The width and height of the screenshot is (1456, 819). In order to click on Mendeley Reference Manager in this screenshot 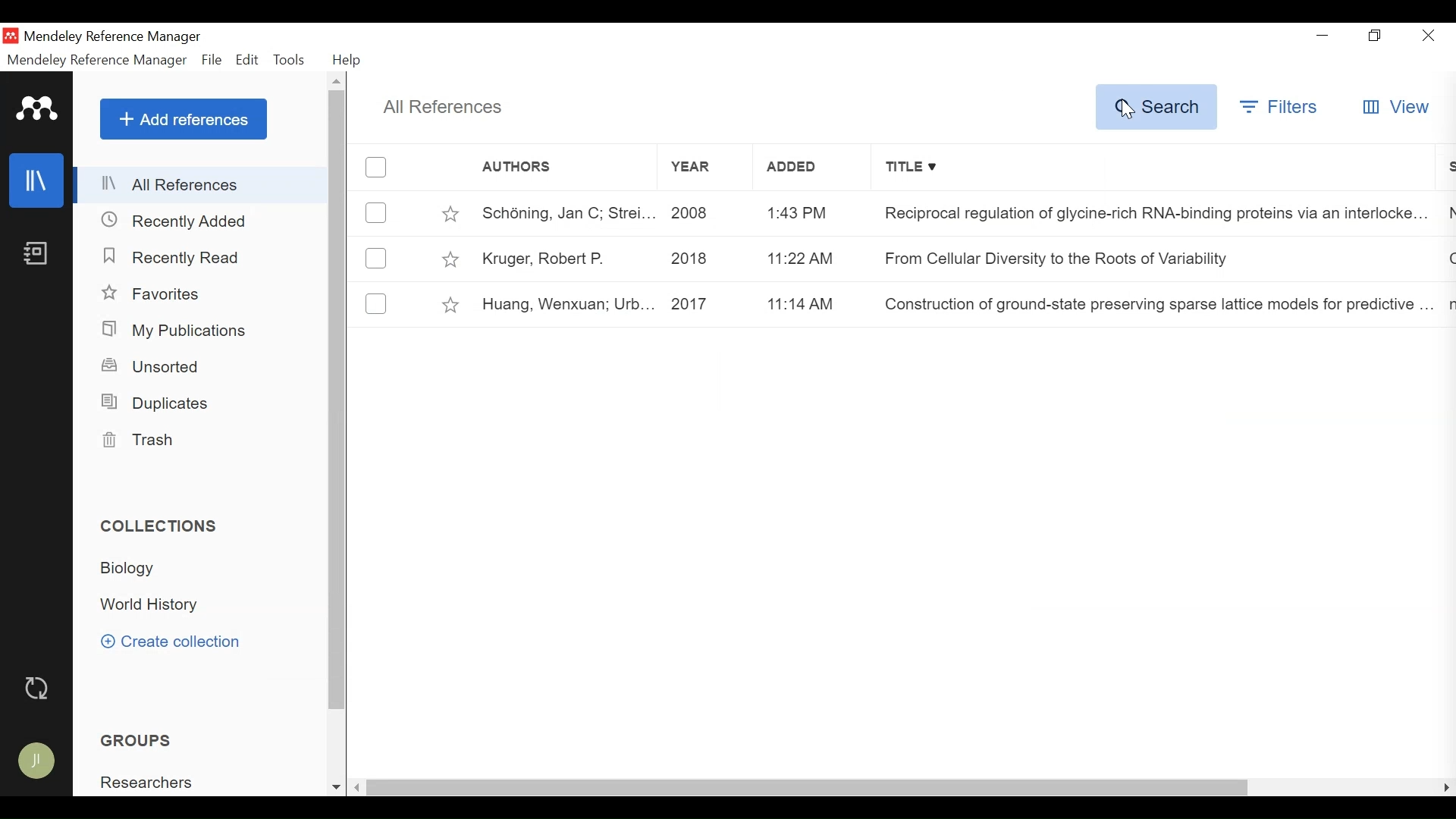, I will do `click(97, 61)`.